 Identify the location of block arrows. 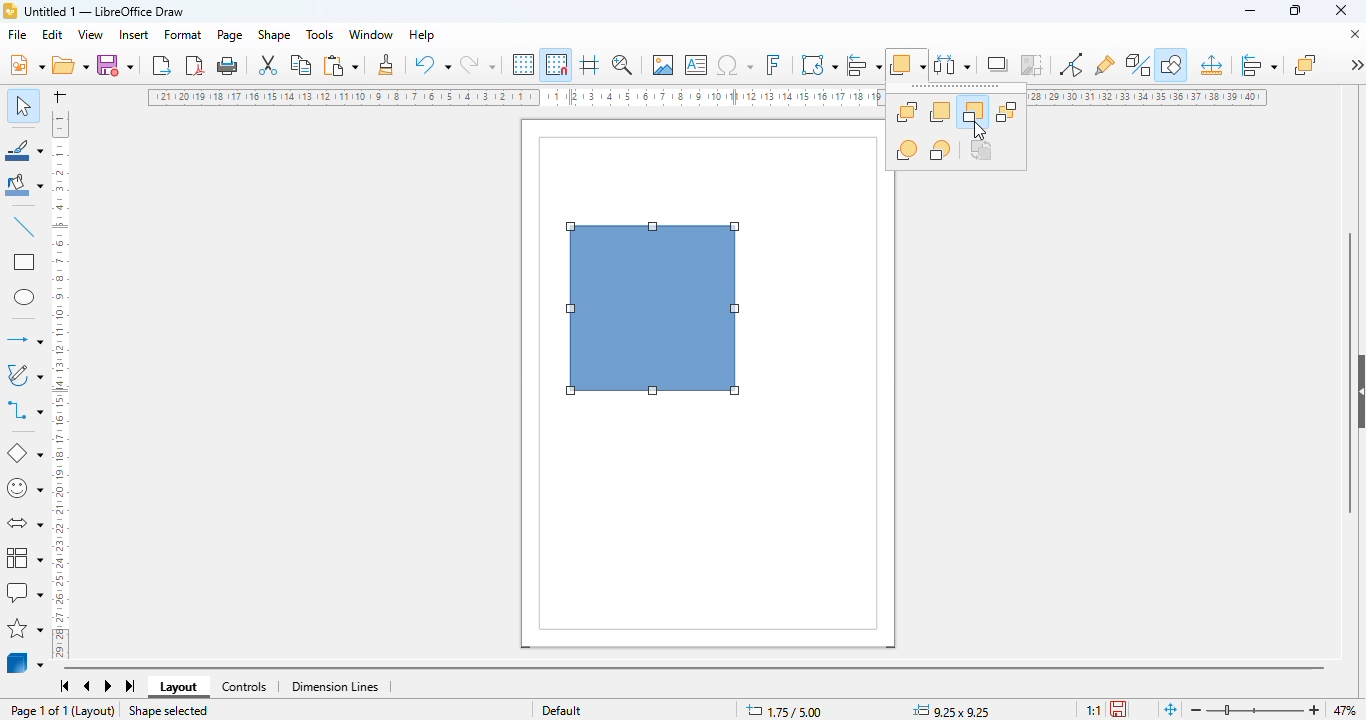
(24, 524).